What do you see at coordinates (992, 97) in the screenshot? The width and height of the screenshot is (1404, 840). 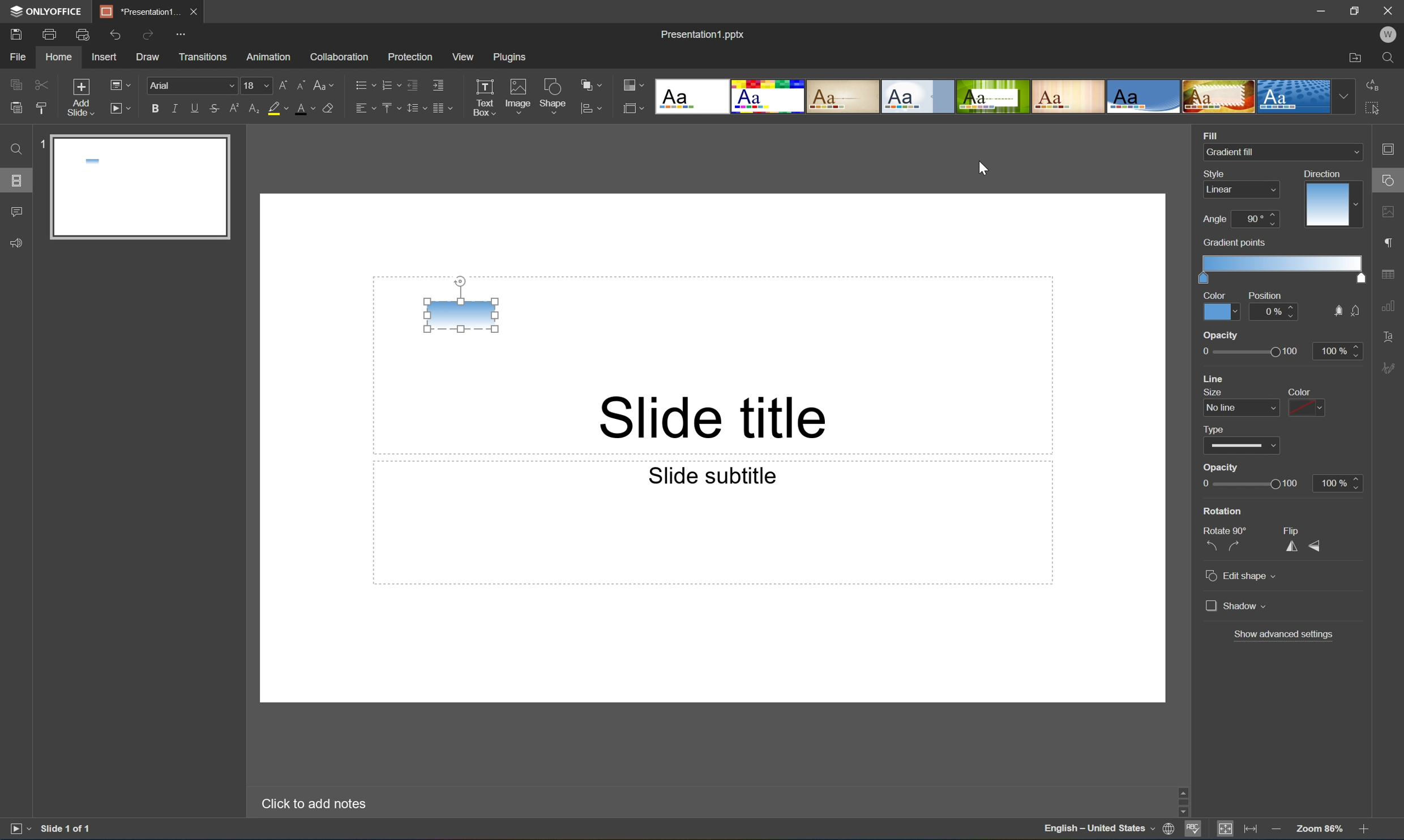 I see `Type of slides` at bounding box center [992, 97].